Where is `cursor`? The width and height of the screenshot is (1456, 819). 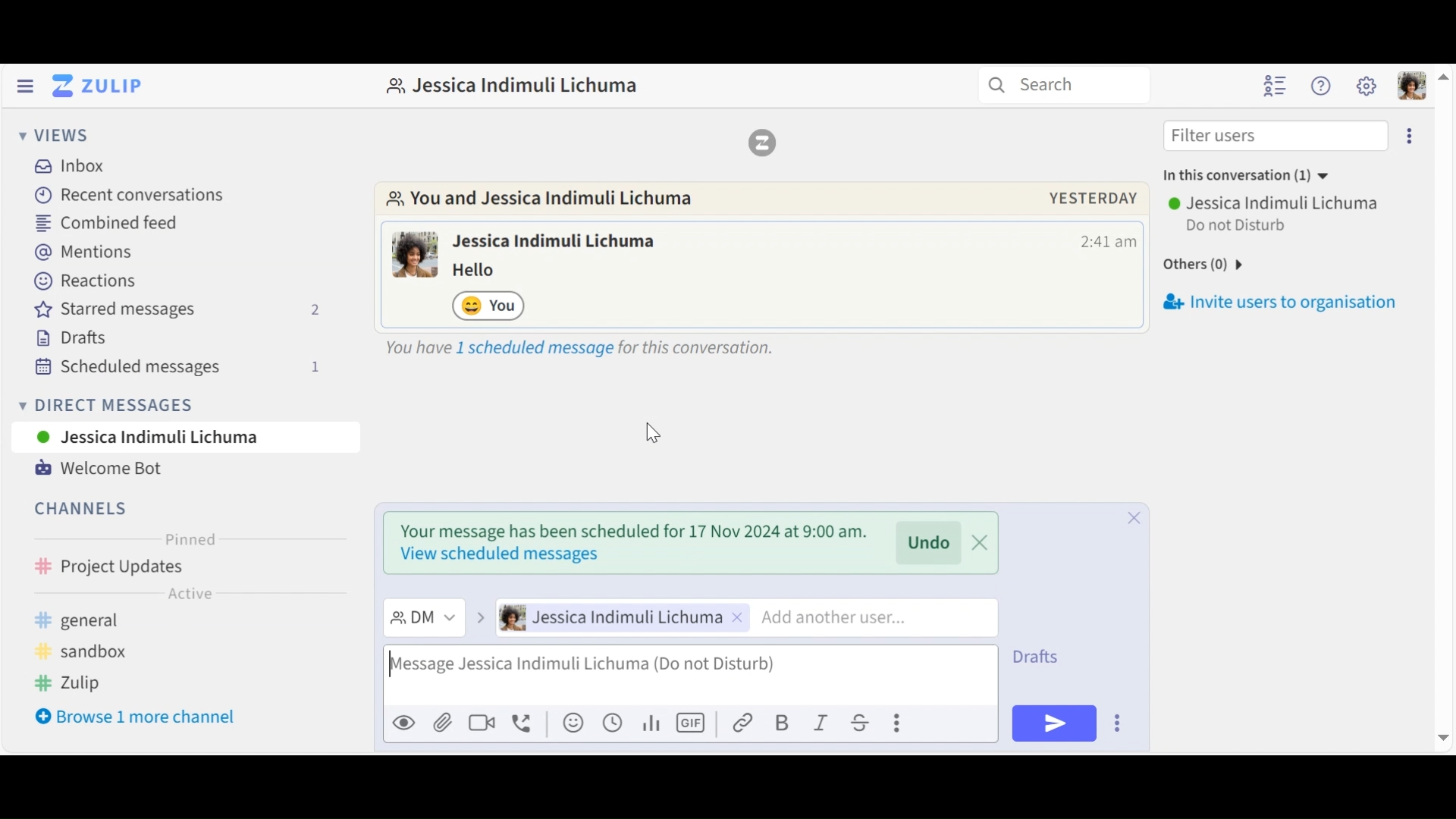
cursor is located at coordinates (653, 435).